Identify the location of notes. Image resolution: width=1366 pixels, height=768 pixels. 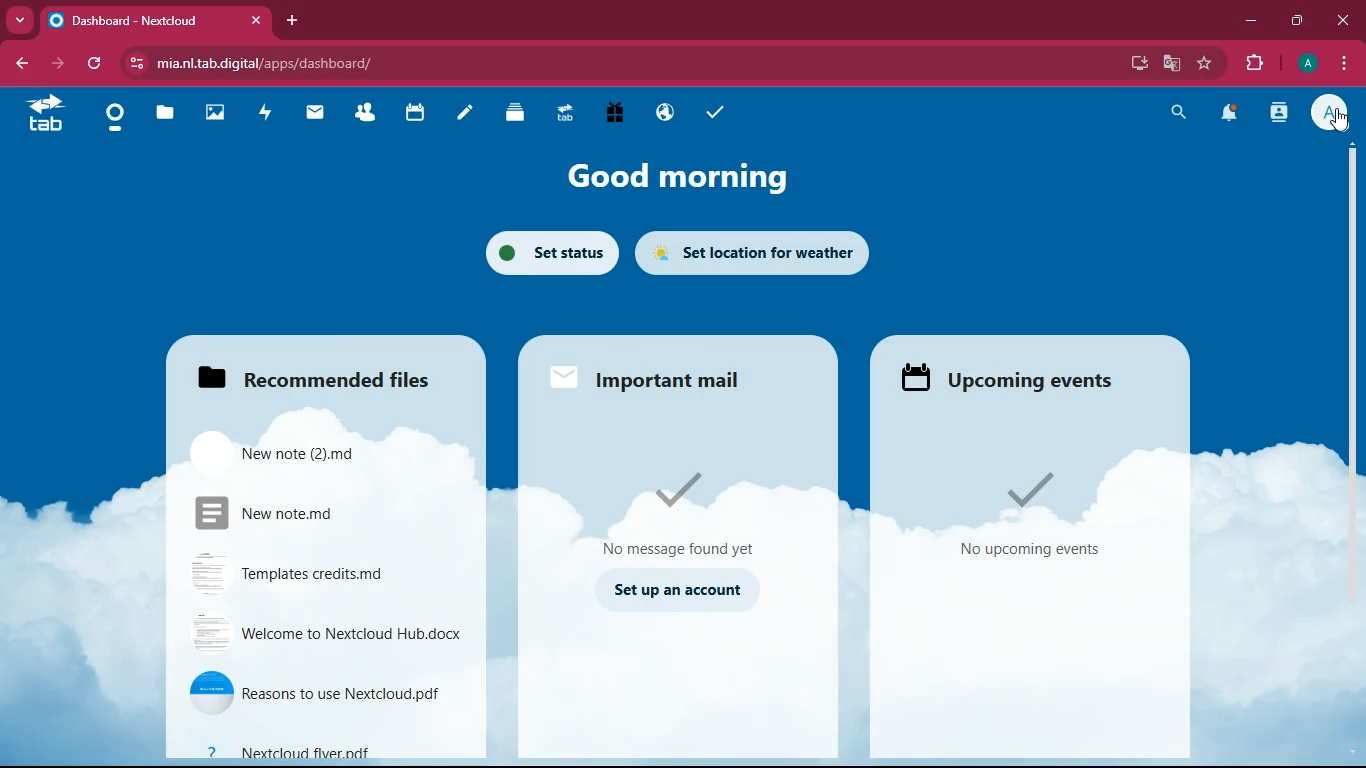
(470, 113).